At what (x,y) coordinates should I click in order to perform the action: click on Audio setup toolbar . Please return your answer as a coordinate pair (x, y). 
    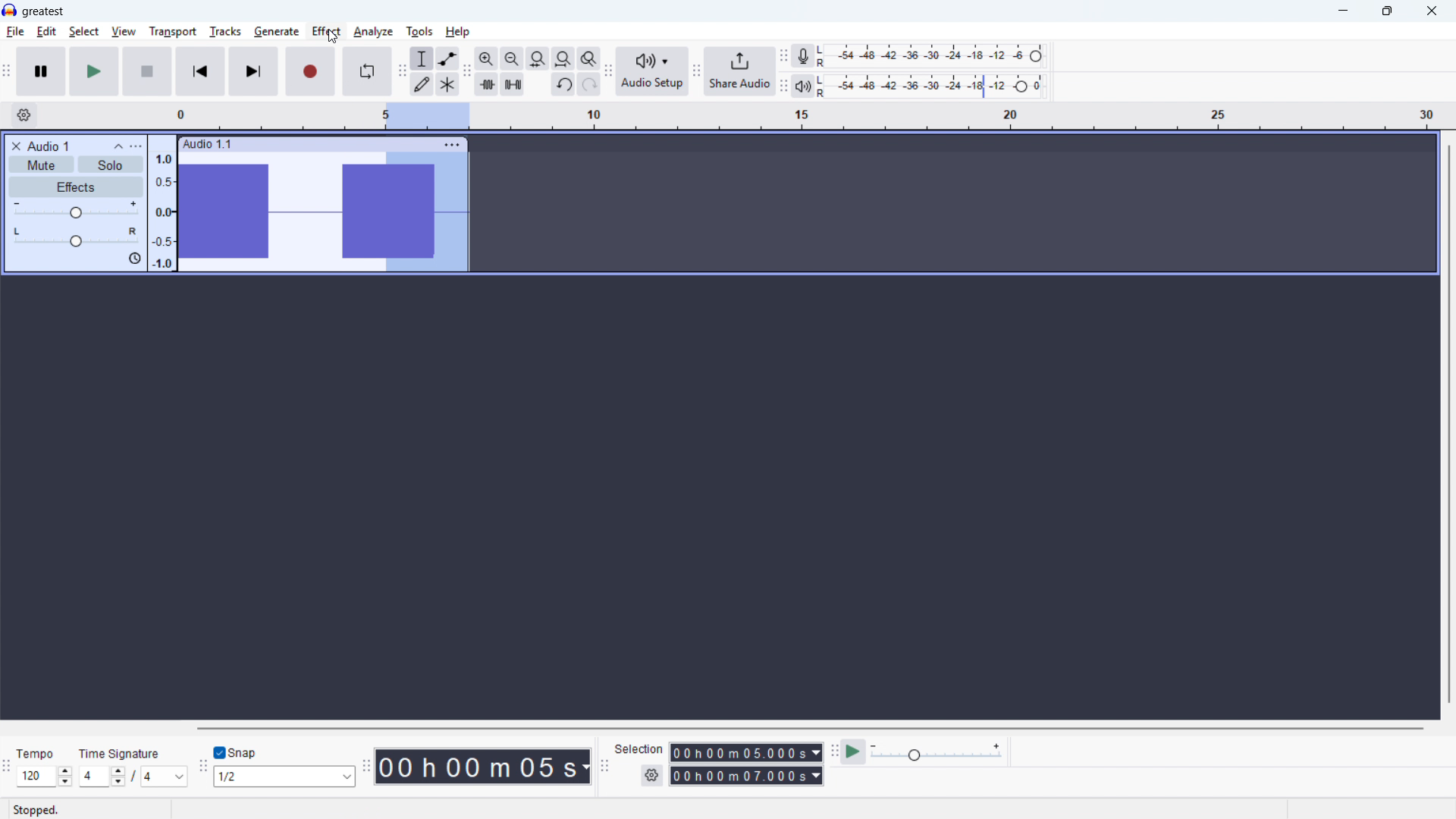
    Looking at the image, I should click on (609, 73).